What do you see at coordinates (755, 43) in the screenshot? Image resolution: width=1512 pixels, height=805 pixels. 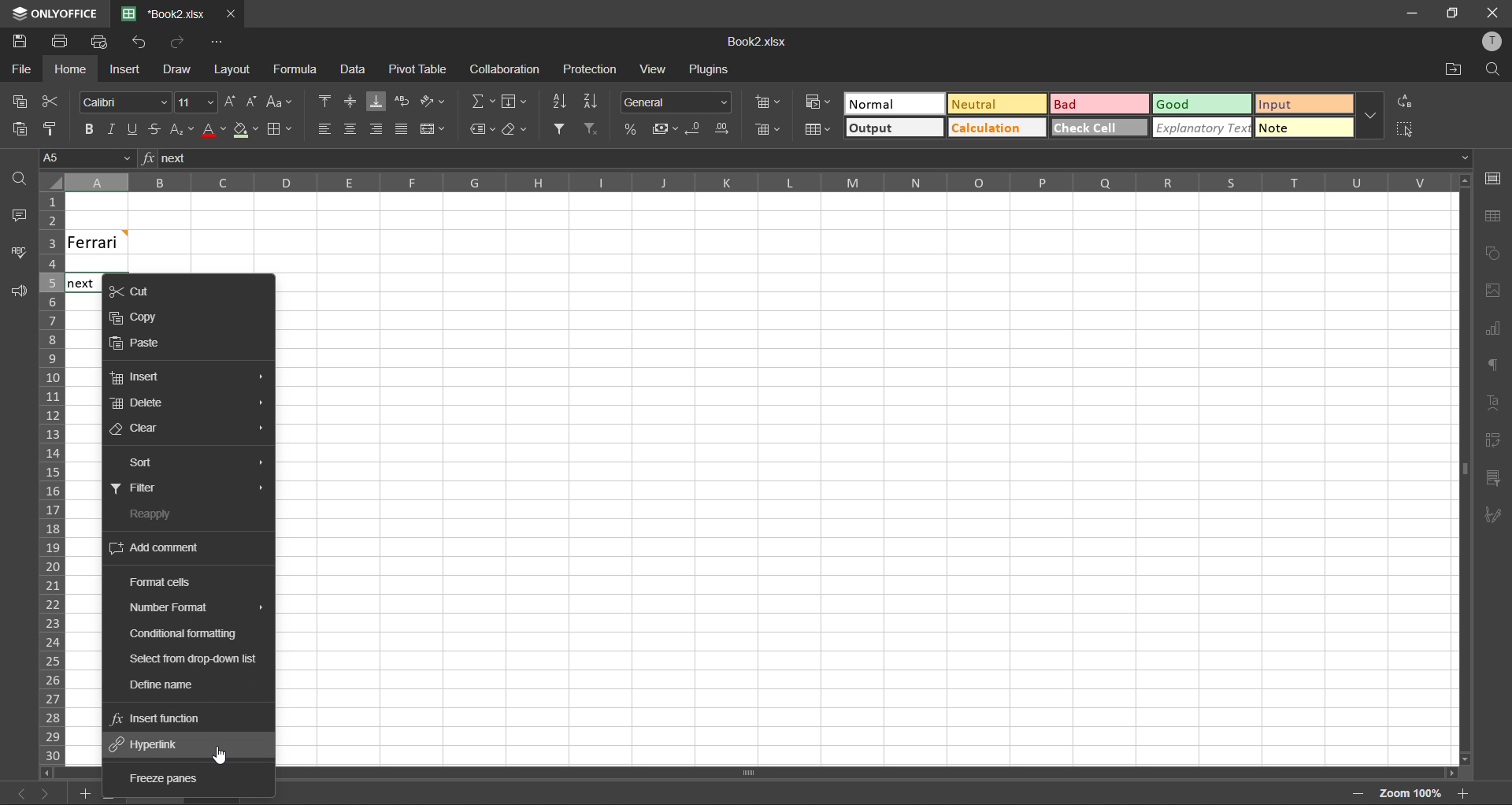 I see `Book2.xlsx` at bounding box center [755, 43].